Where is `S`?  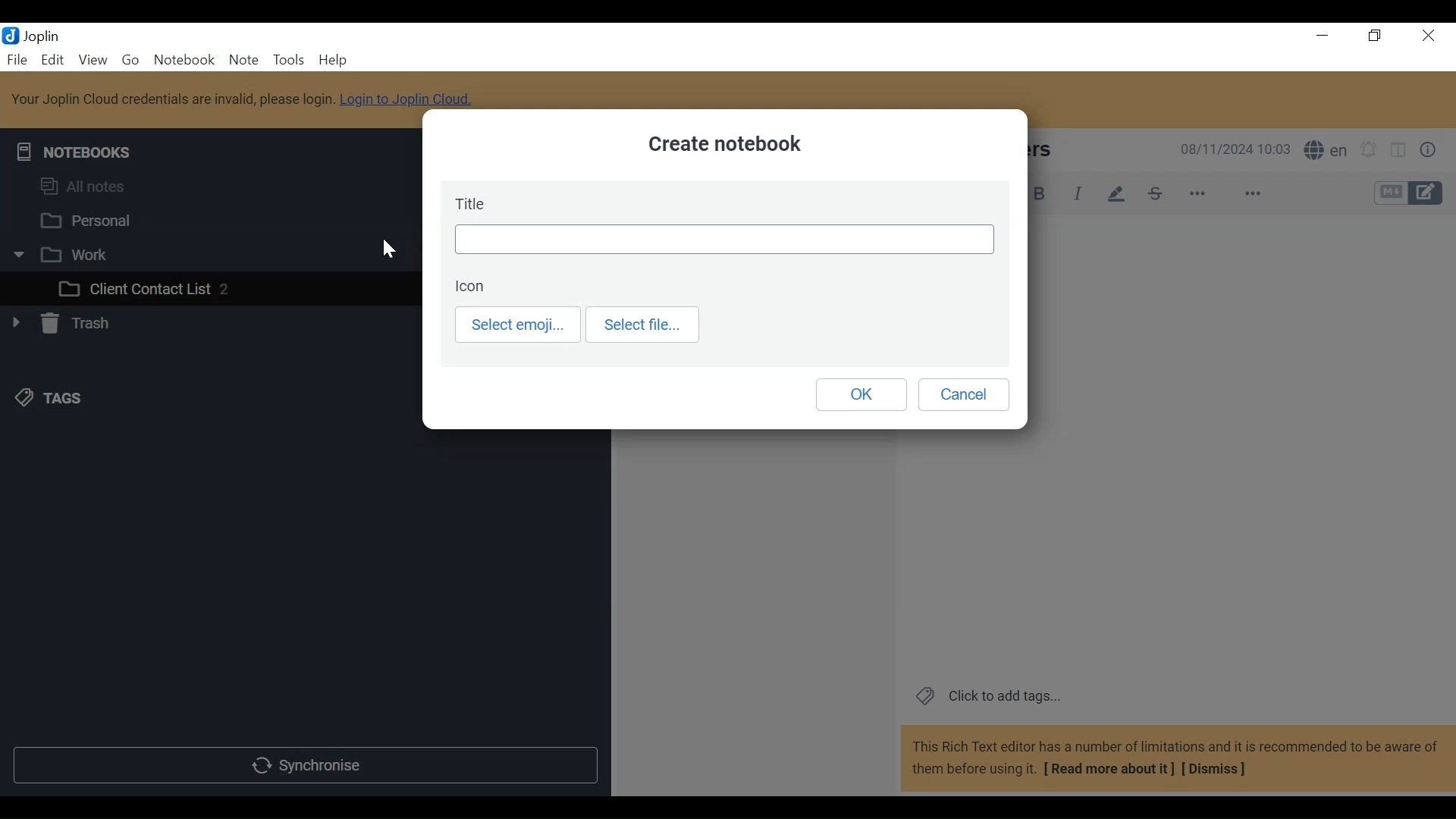 S is located at coordinates (1326, 151).